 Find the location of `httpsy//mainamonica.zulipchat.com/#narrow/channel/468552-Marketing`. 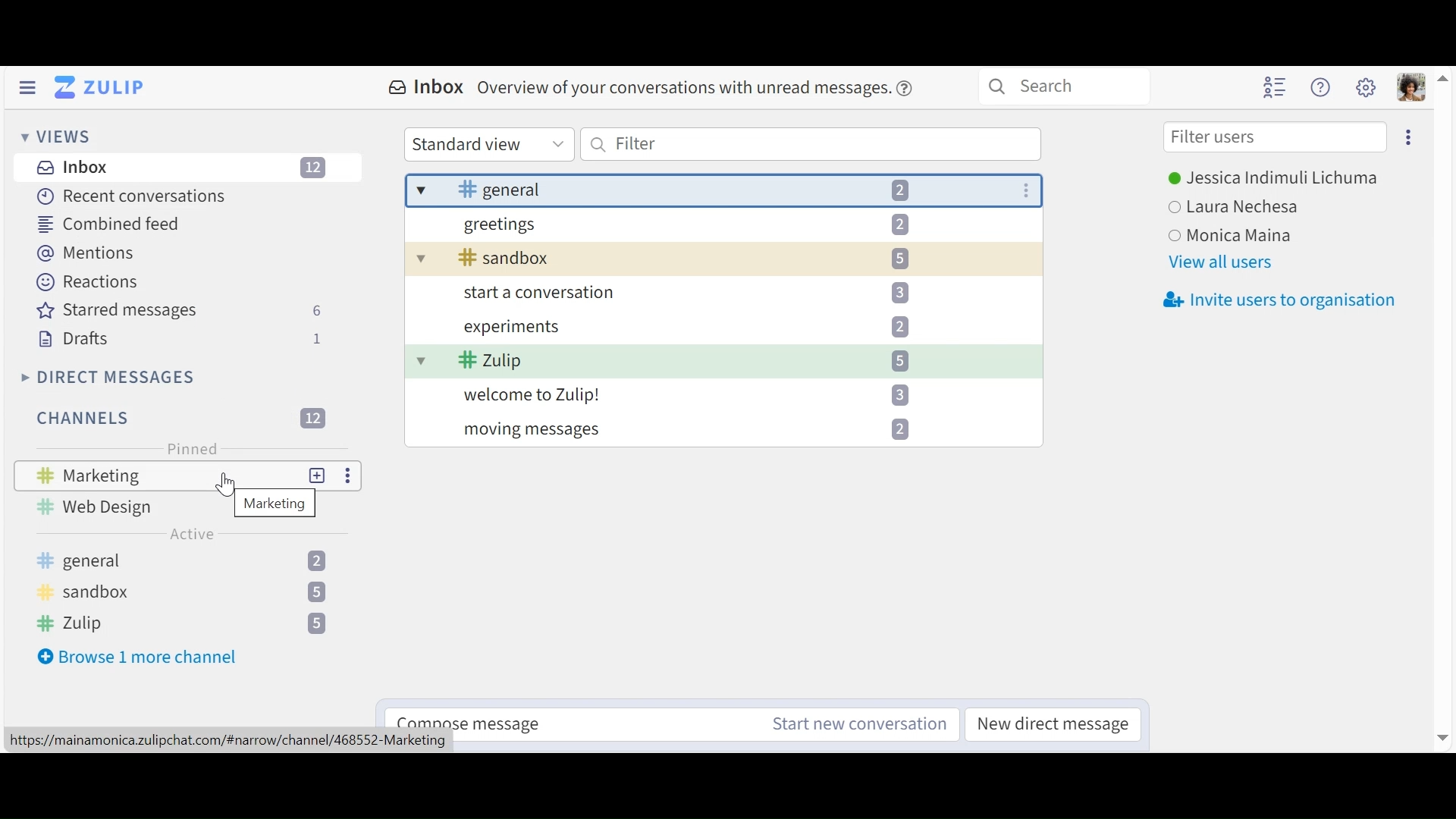

httpsy//mainamonica.zulipchat.com/#narrow/channel/468552-Marketing is located at coordinates (231, 737).